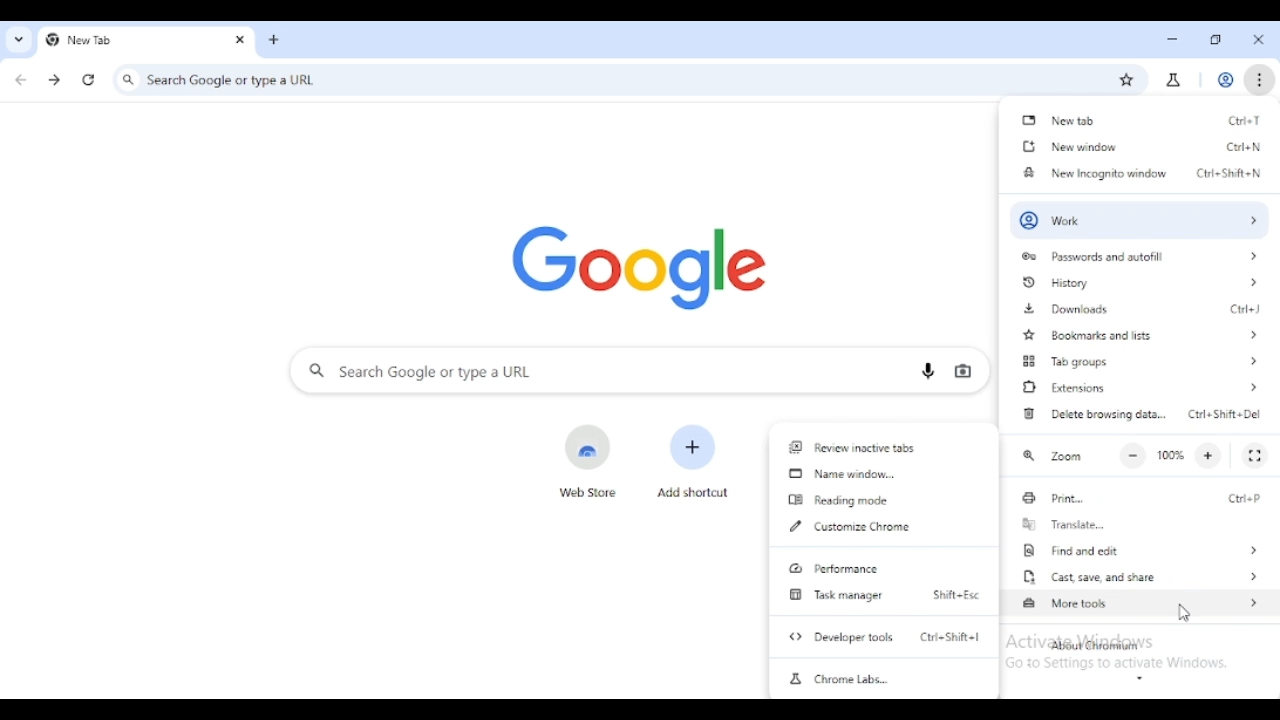 This screenshot has height=720, width=1280. What do you see at coordinates (1141, 334) in the screenshot?
I see `bookmarks and lists` at bounding box center [1141, 334].